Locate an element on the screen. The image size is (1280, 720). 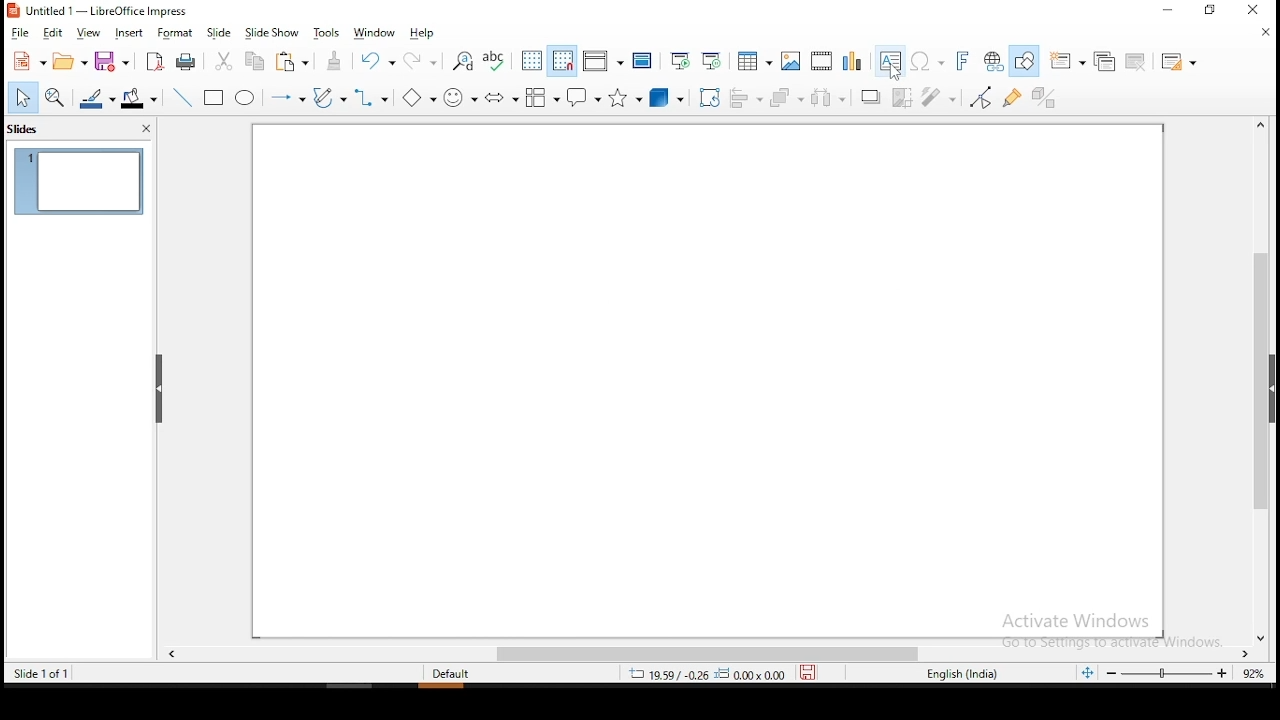
scroll bar is located at coordinates (1268, 380).